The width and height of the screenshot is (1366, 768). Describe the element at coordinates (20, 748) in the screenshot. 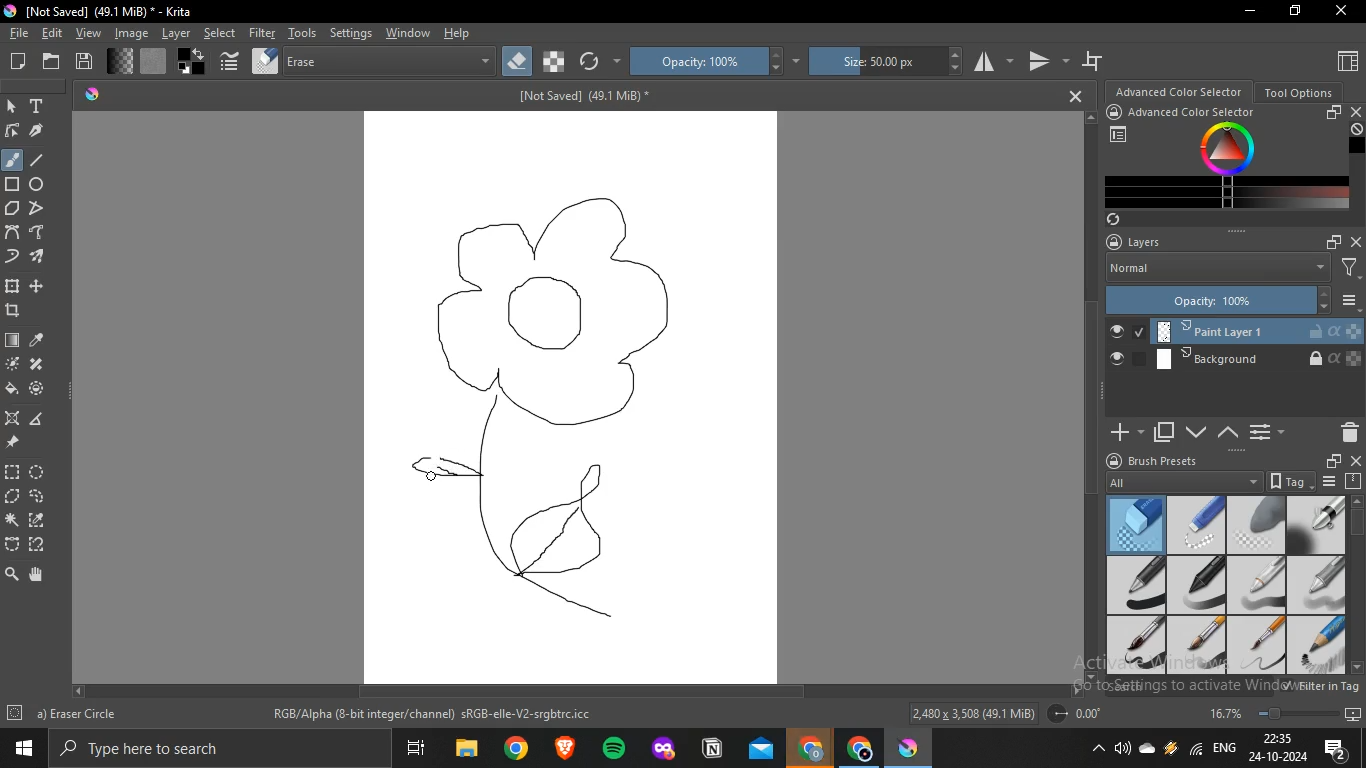

I see `Windows` at that location.